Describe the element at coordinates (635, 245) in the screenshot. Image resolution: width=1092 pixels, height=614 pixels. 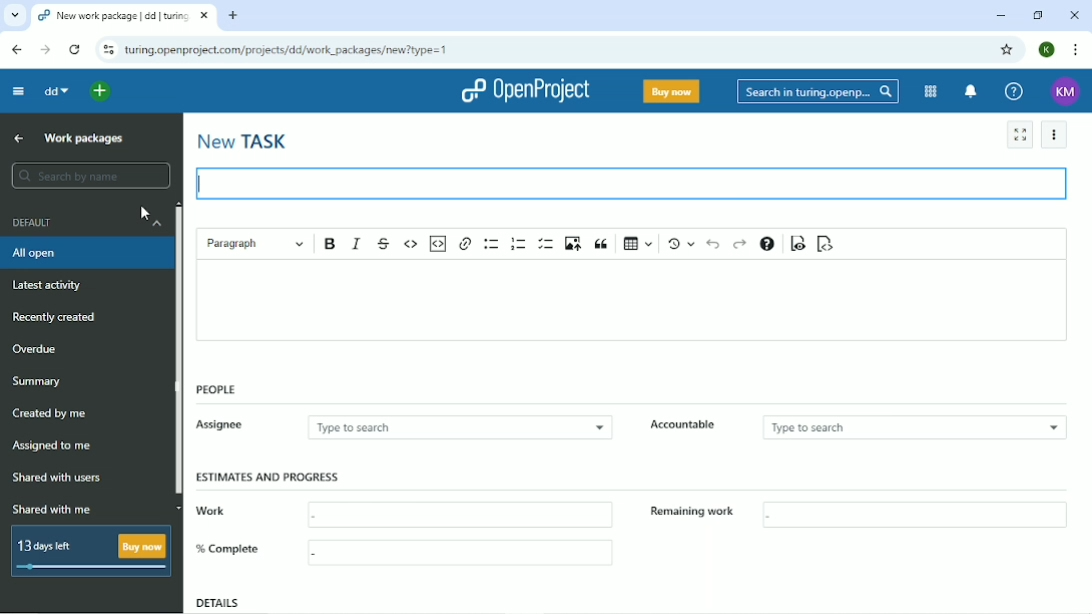
I see `Insert table` at that location.